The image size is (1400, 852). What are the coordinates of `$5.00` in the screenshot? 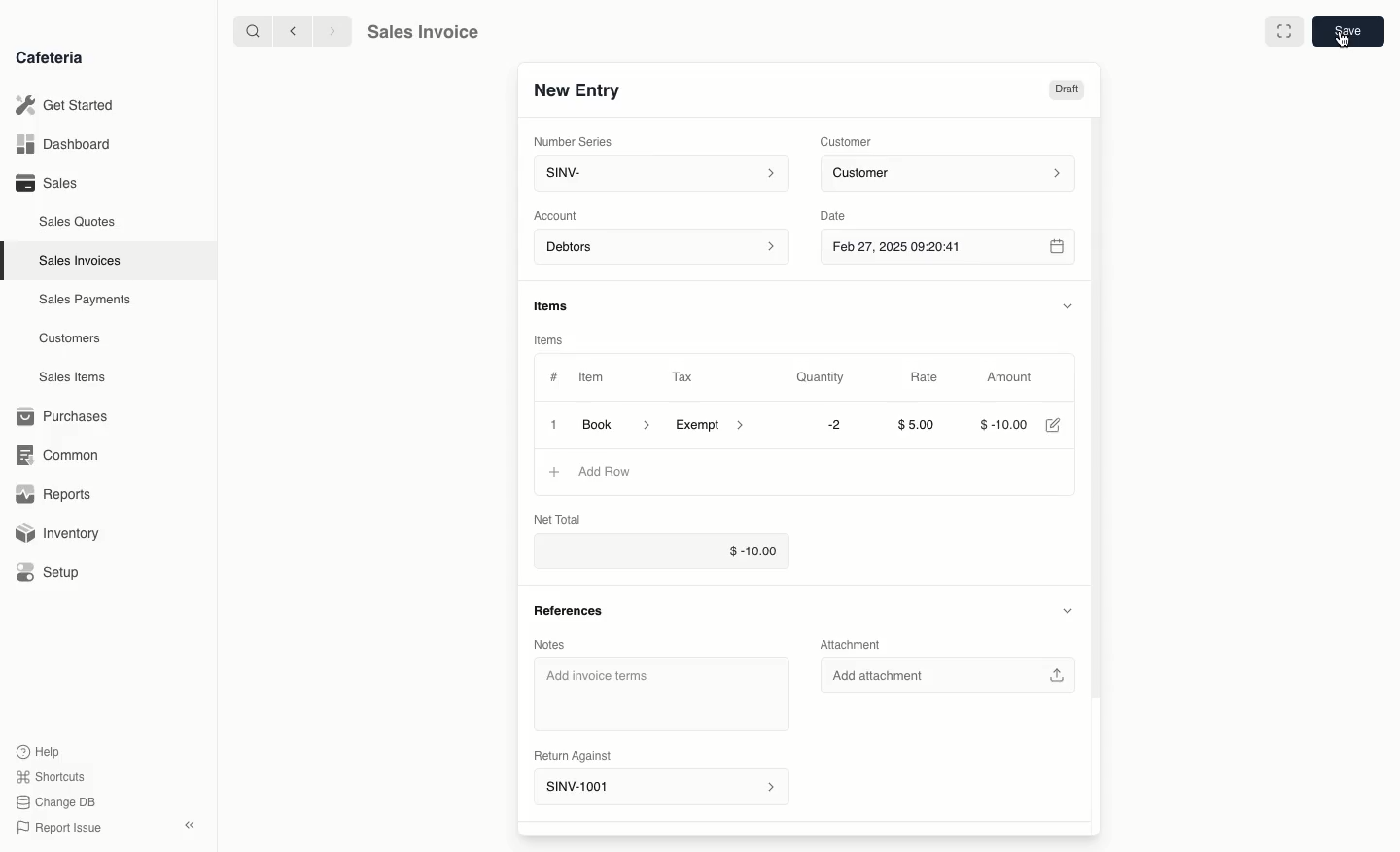 It's located at (923, 424).